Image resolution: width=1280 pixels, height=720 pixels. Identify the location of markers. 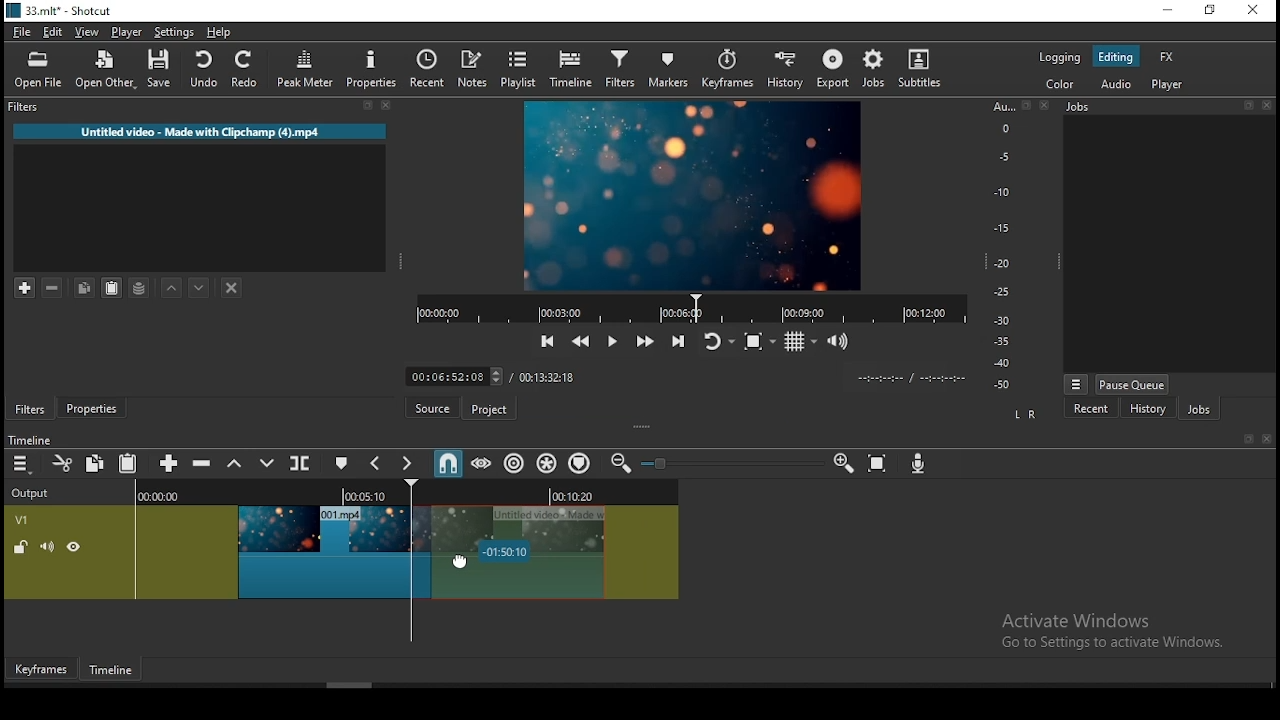
(668, 69).